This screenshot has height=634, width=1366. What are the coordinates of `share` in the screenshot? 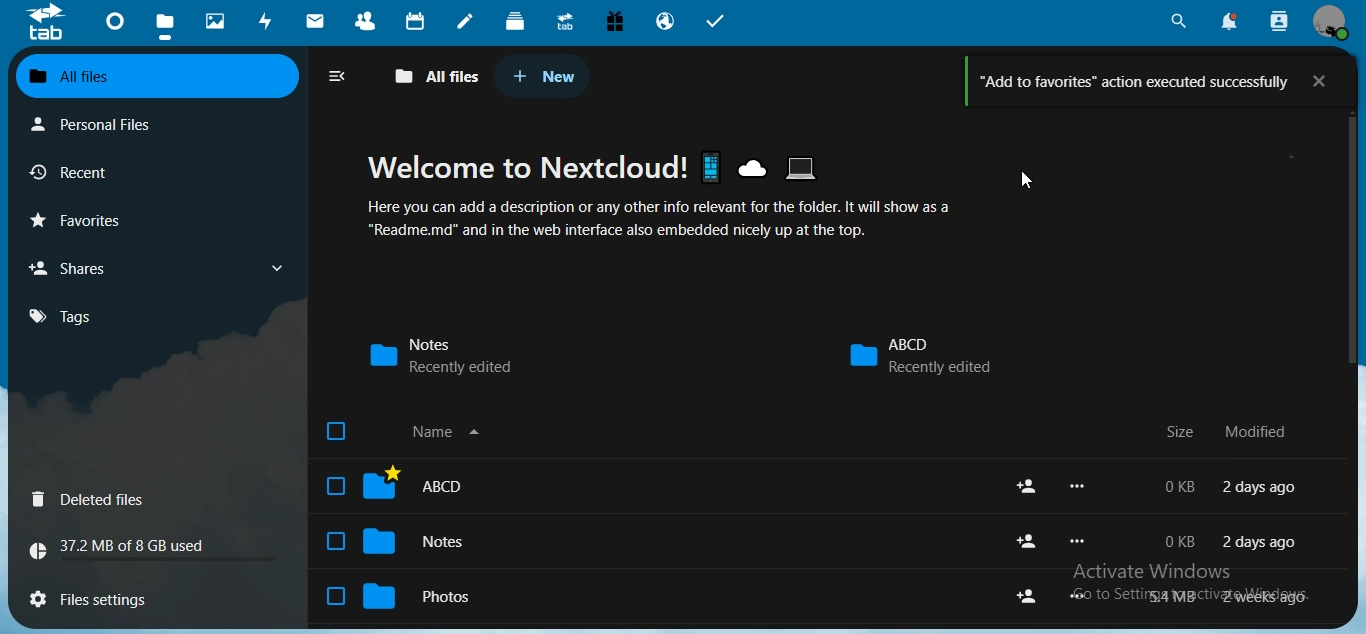 It's located at (1028, 485).